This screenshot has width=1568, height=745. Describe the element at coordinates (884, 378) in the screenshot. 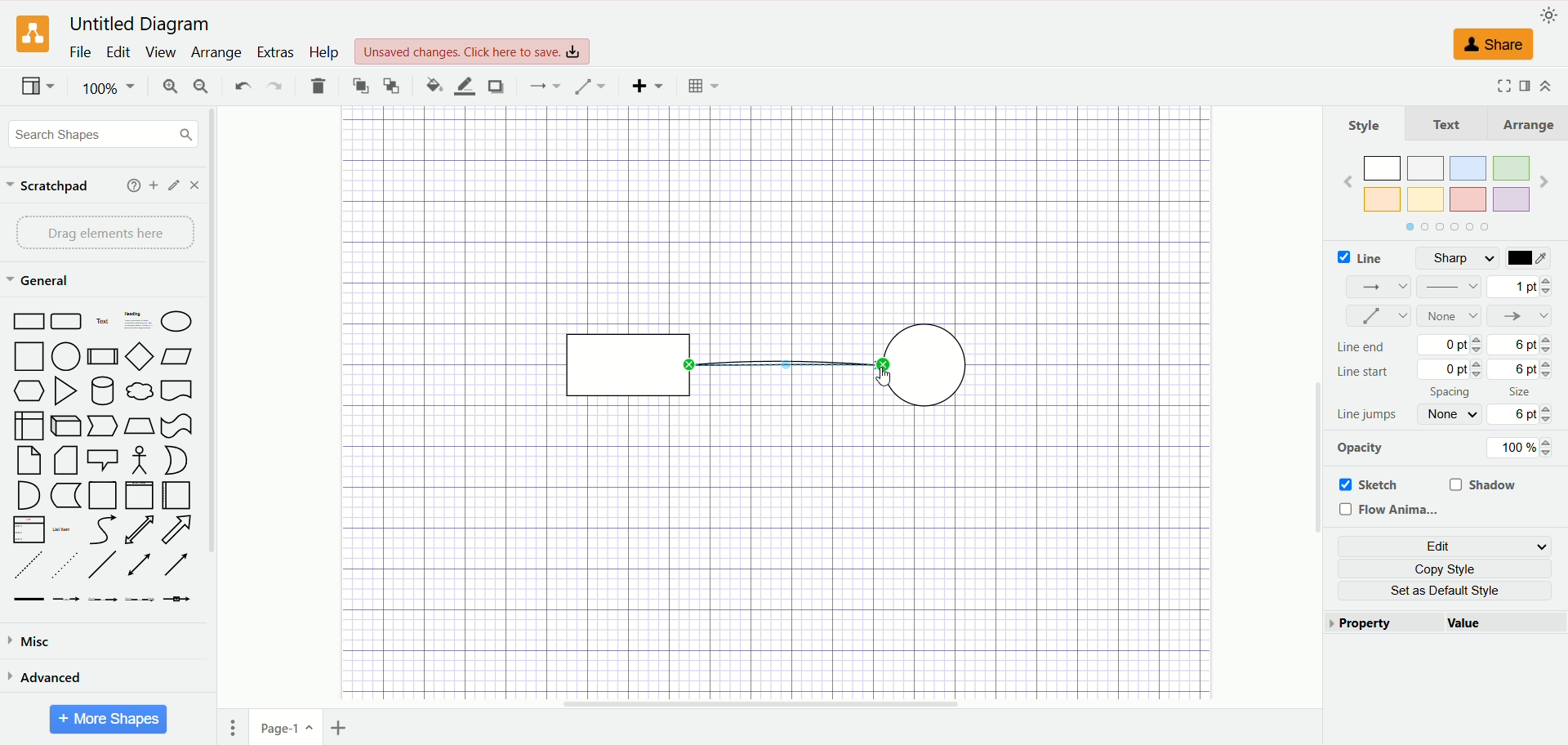

I see `cursor AFTER_LAST_ACTION` at that location.